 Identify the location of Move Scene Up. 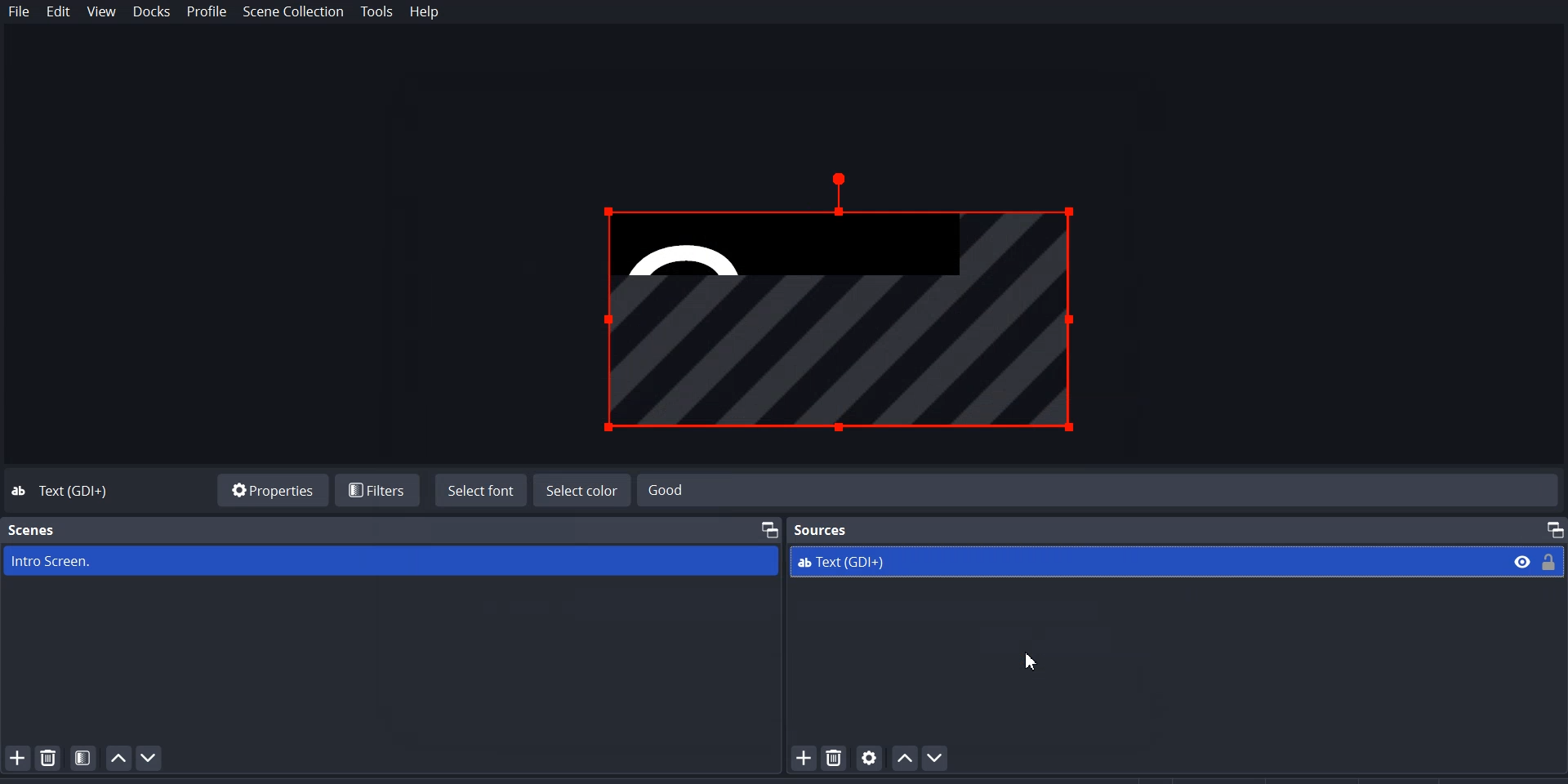
(118, 758).